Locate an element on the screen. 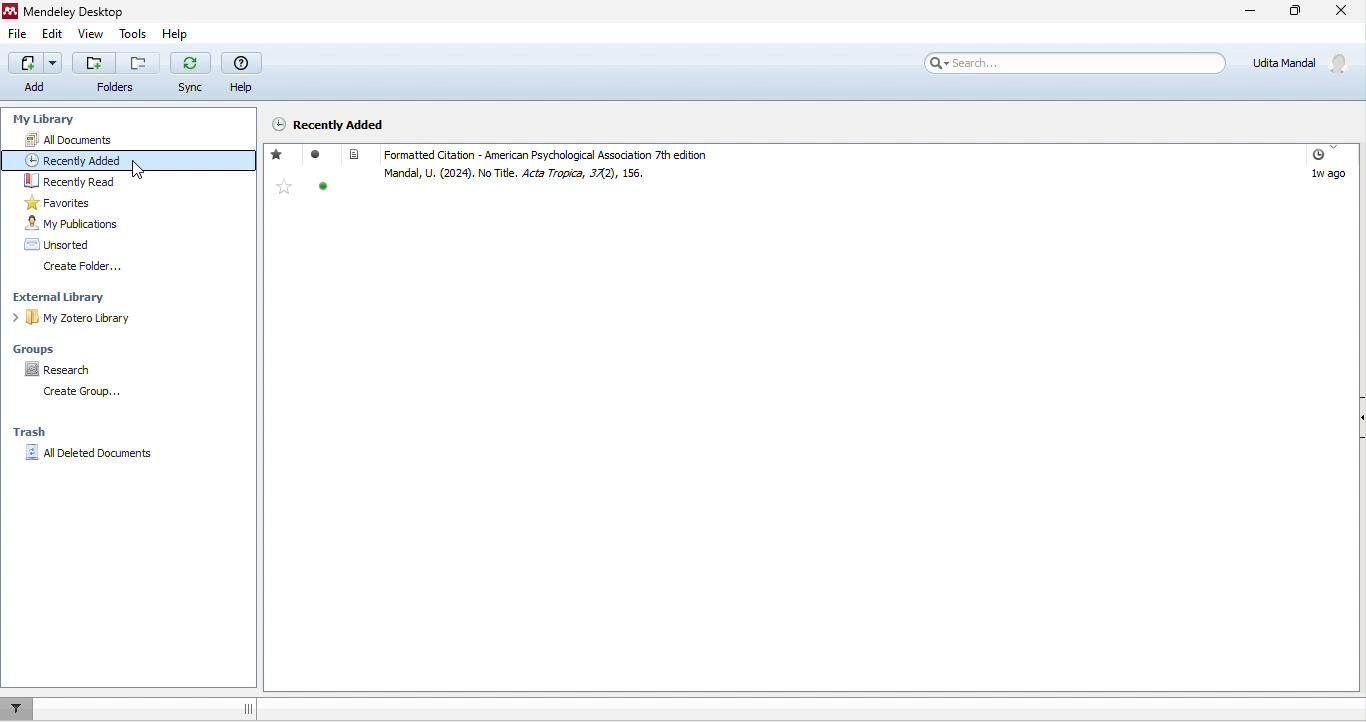 Image resolution: width=1366 pixels, height=722 pixels. search is located at coordinates (1077, 62).